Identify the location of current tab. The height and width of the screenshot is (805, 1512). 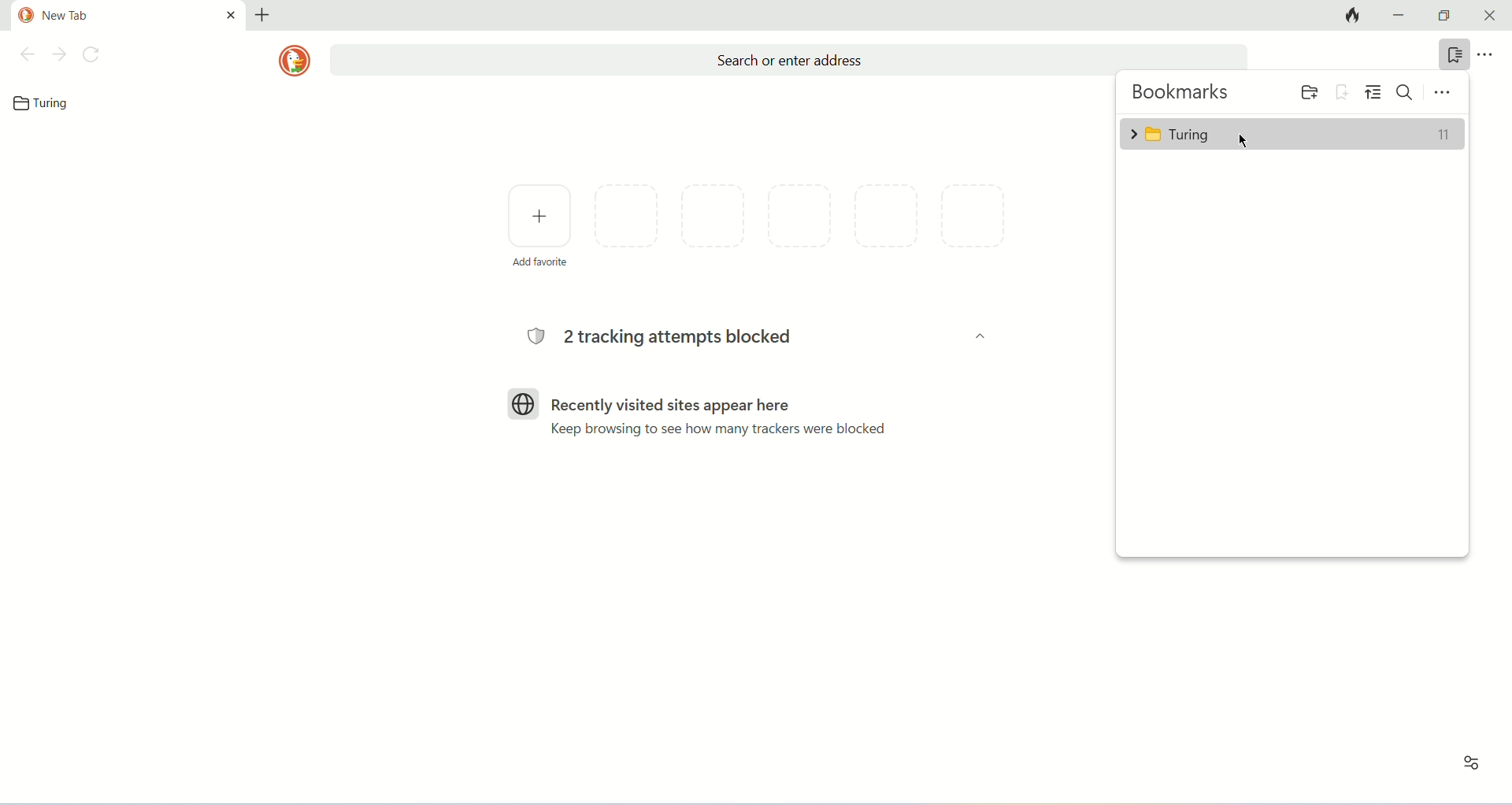
(128, 13).